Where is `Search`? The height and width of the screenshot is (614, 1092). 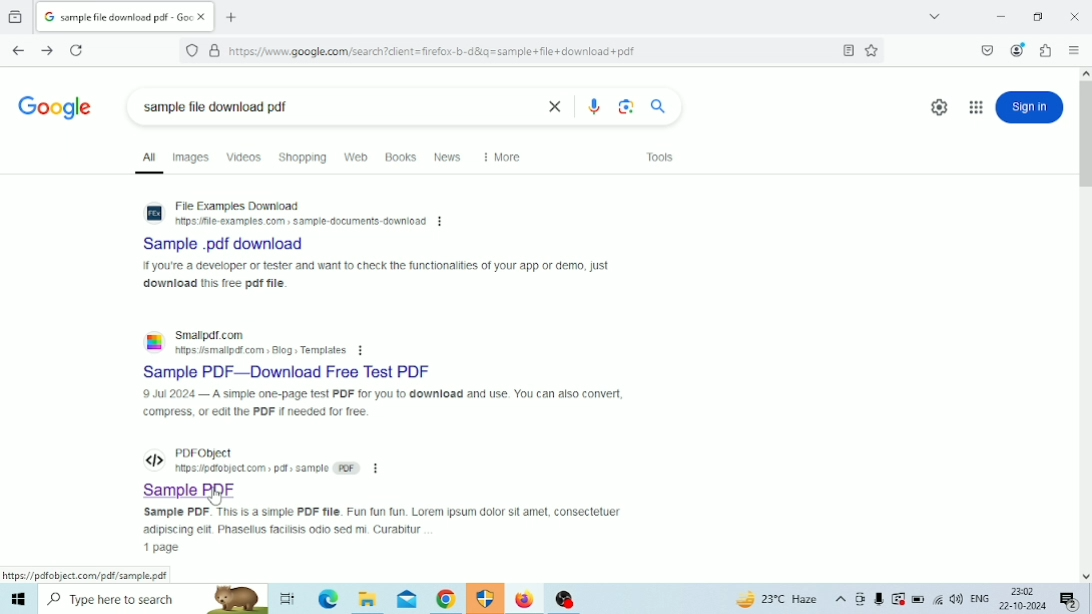
Search is located at coordinates (659, 107).